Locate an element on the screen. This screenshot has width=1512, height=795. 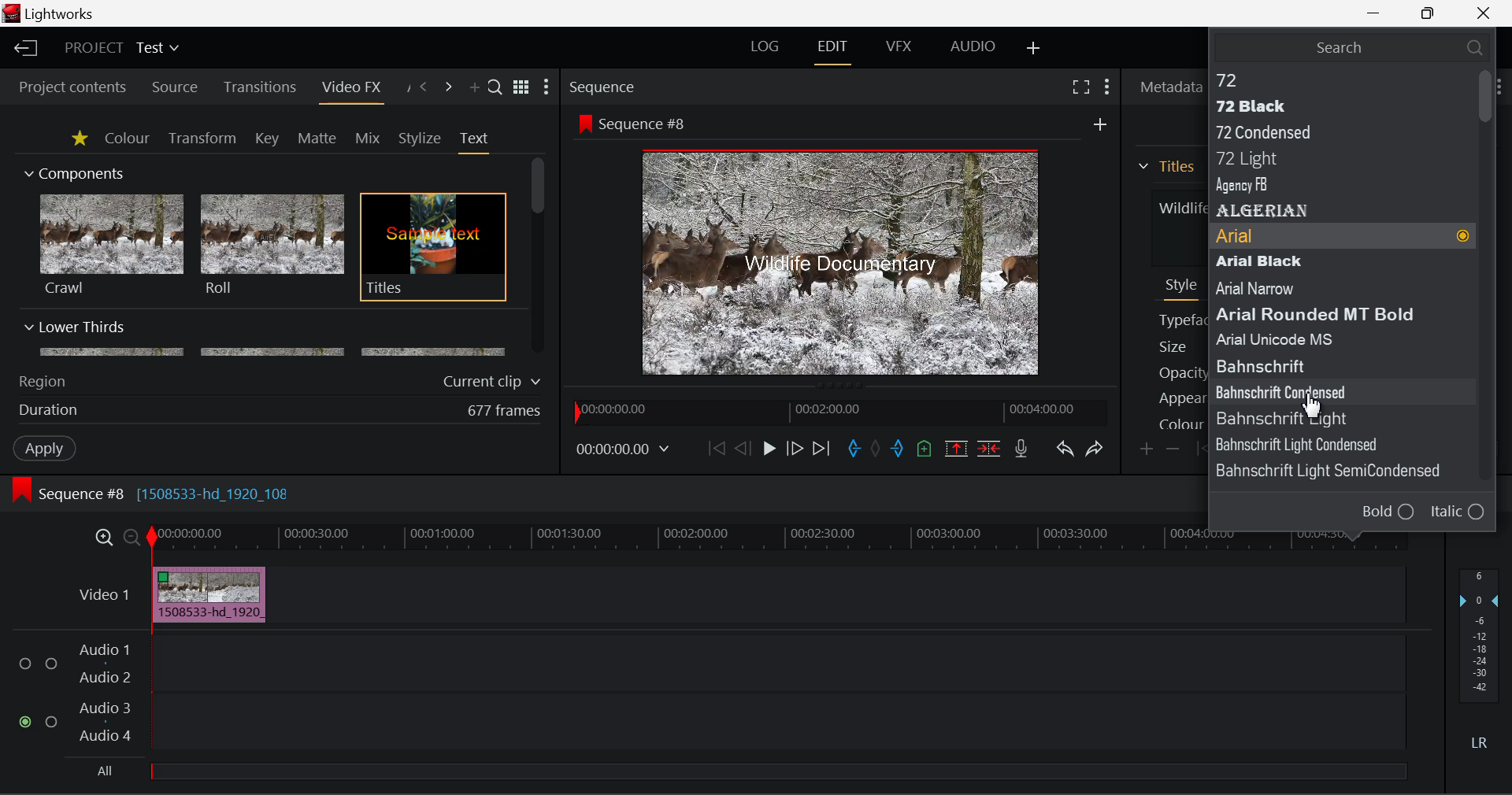
logo is located at coordinates (13, 13).